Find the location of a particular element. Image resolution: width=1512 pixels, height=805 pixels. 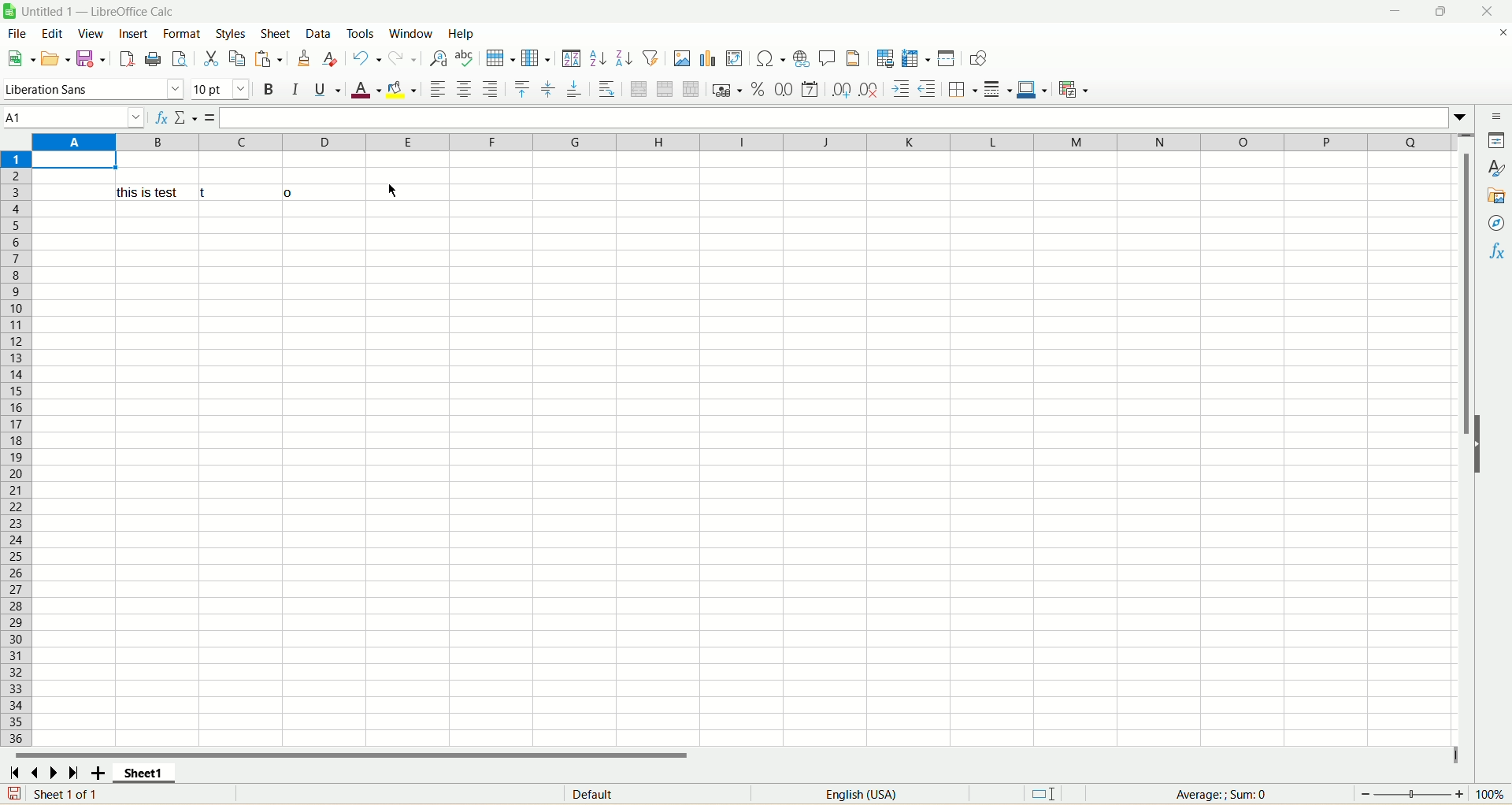

zoom factor is located at coordinates (1433, 794).